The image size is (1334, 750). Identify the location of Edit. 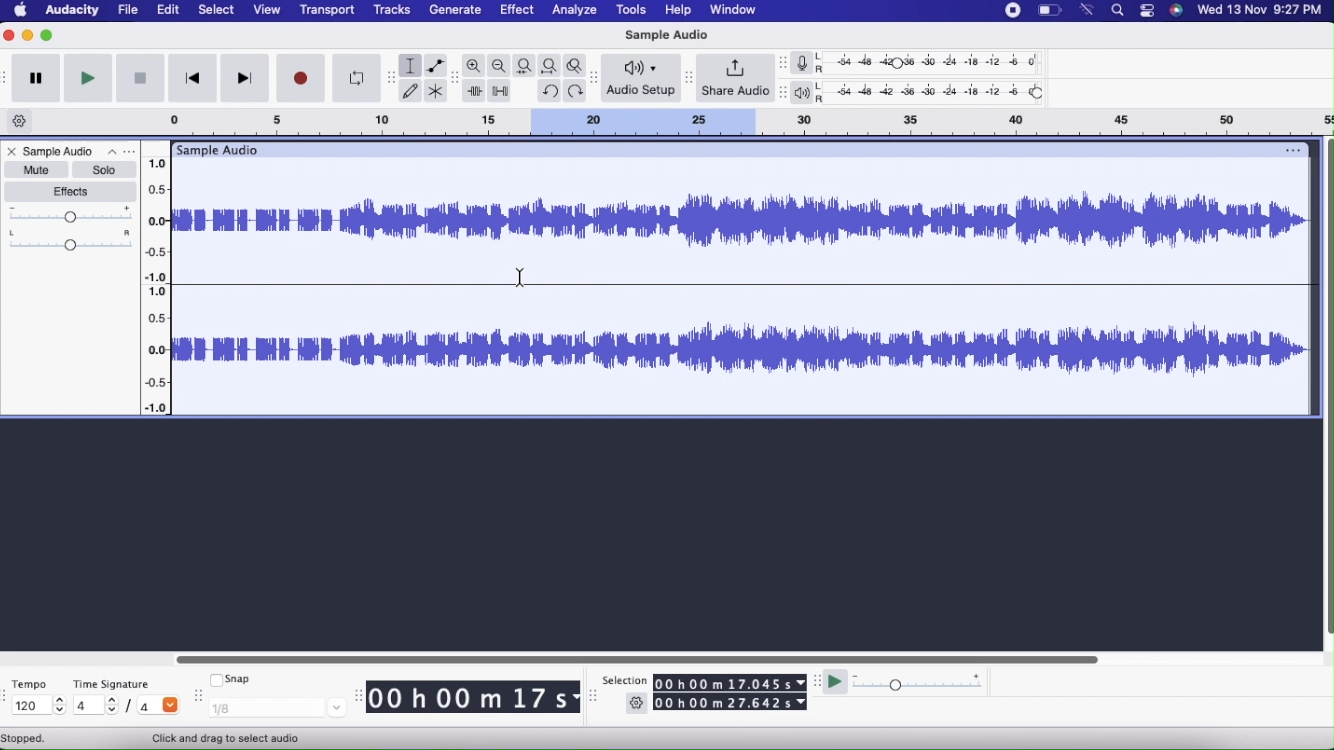
(172, 10).